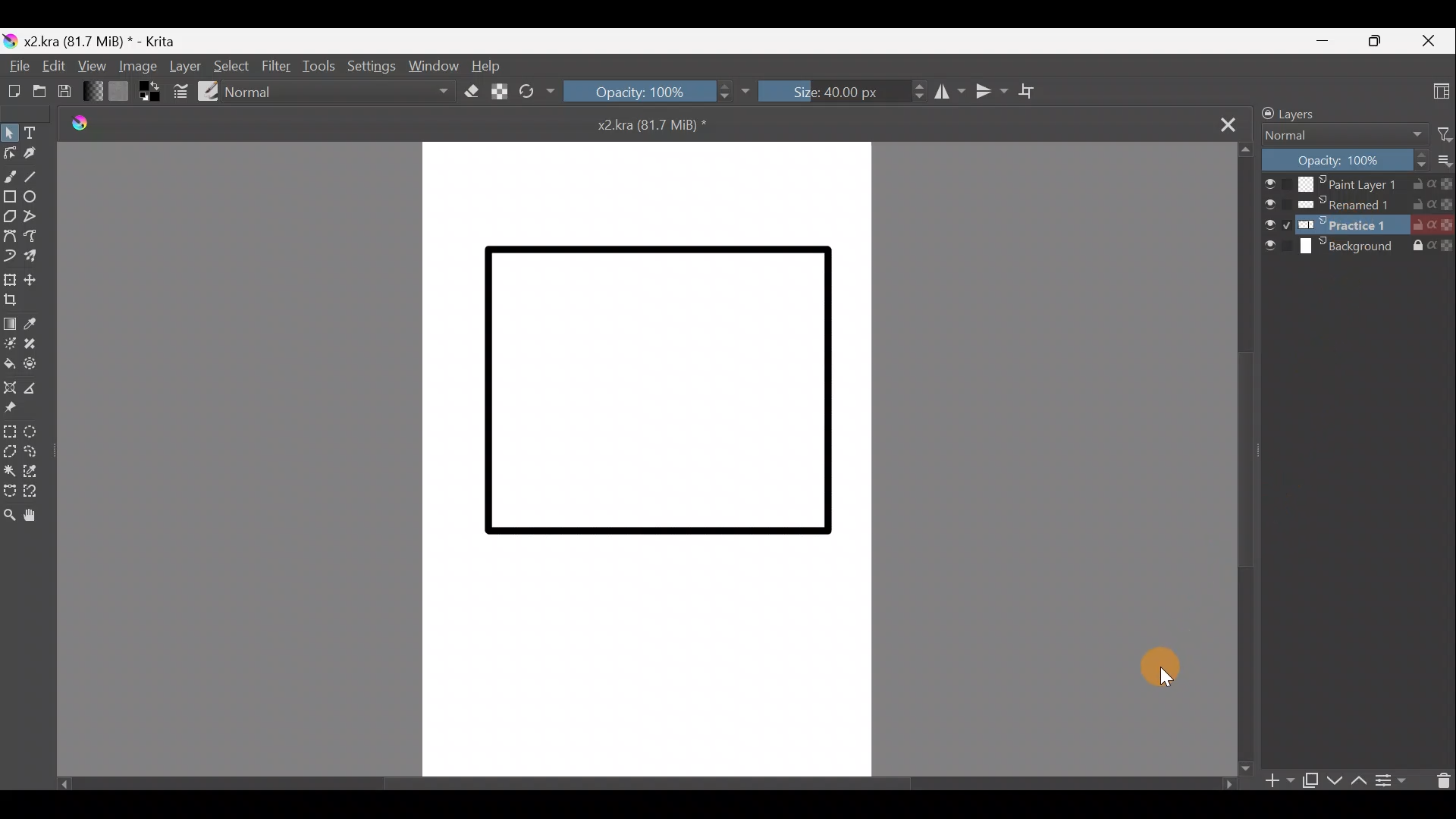 The image size is (1456, 819). Describe the element at coordinates (1226, 122) in the screenshot. I see `Close tab` at that location.